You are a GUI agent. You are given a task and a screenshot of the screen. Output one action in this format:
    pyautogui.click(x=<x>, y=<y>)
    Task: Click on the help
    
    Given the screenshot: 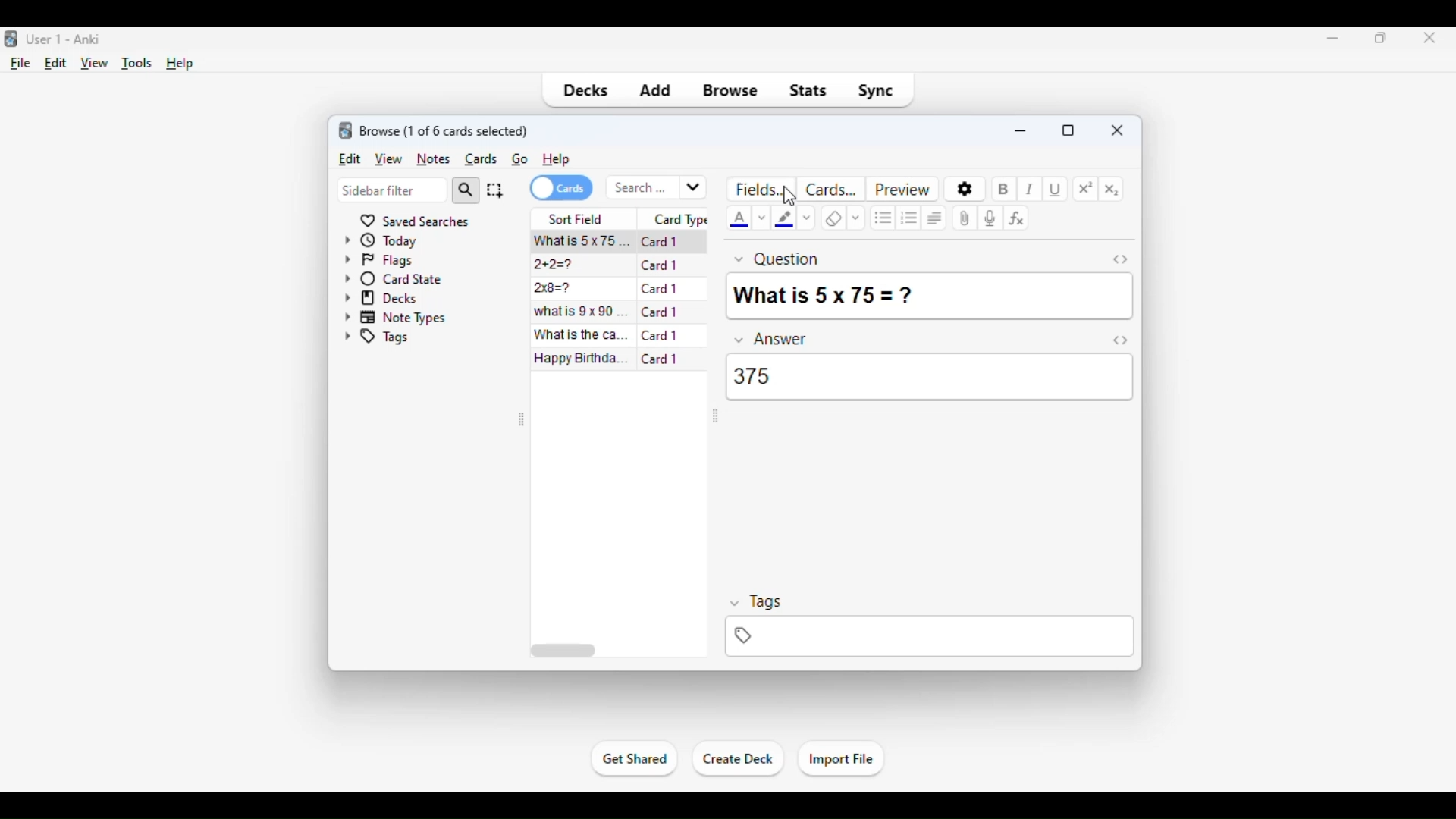 What is the action you would take?
    pyautogui.click(x=555, y=160)
    